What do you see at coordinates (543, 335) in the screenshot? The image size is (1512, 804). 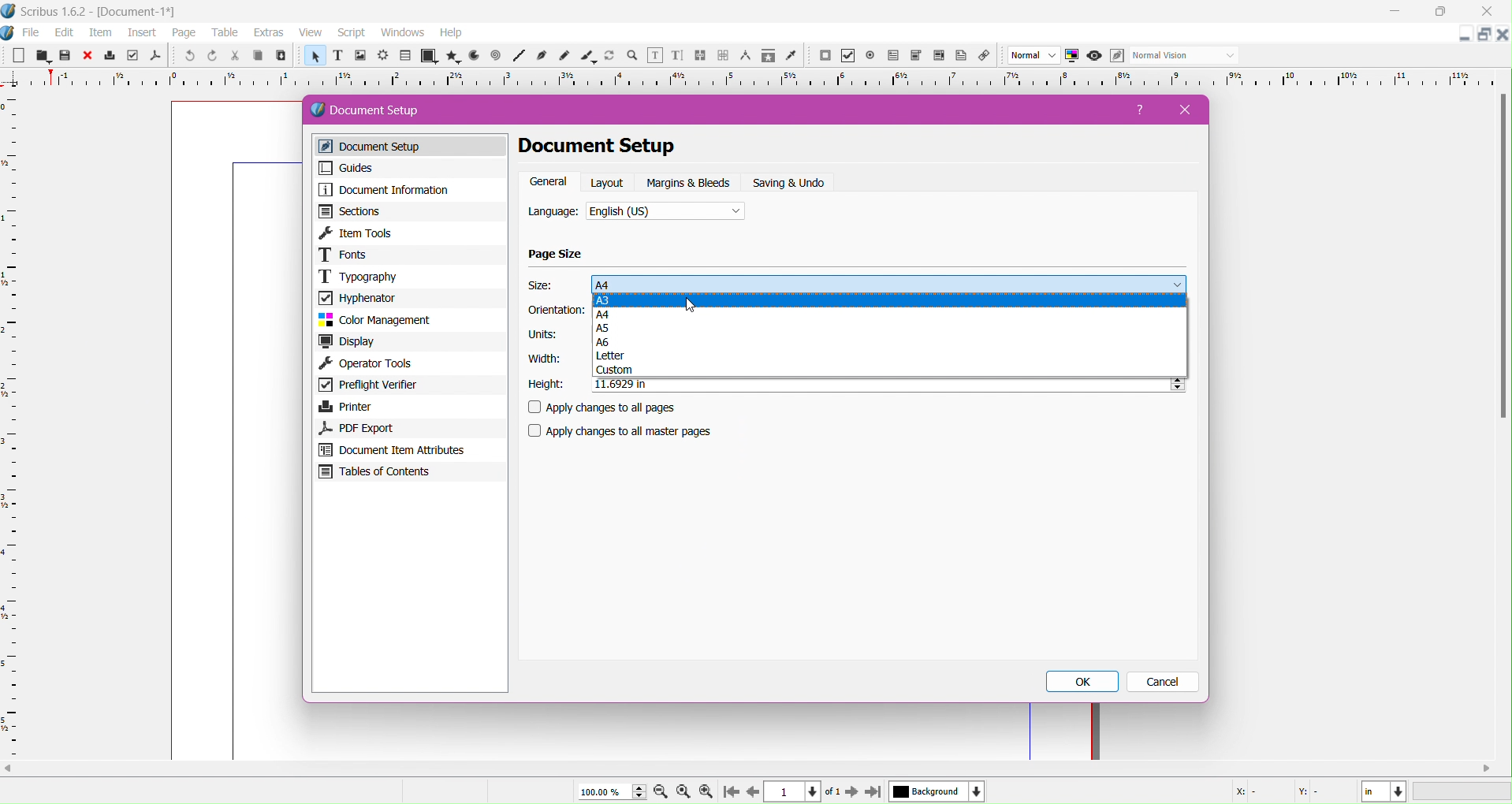 I see `Units` at bounding box center [543, 335].